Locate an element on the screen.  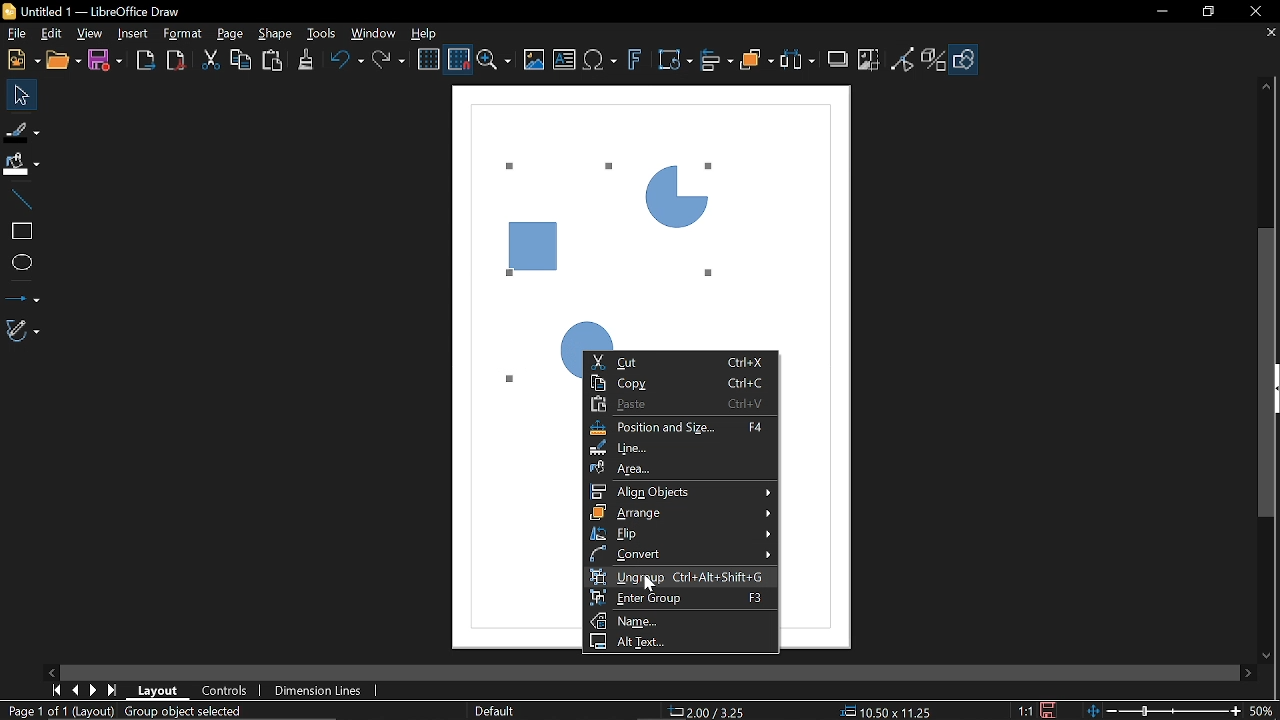
Ellipse is located at coordinates (19, 262).